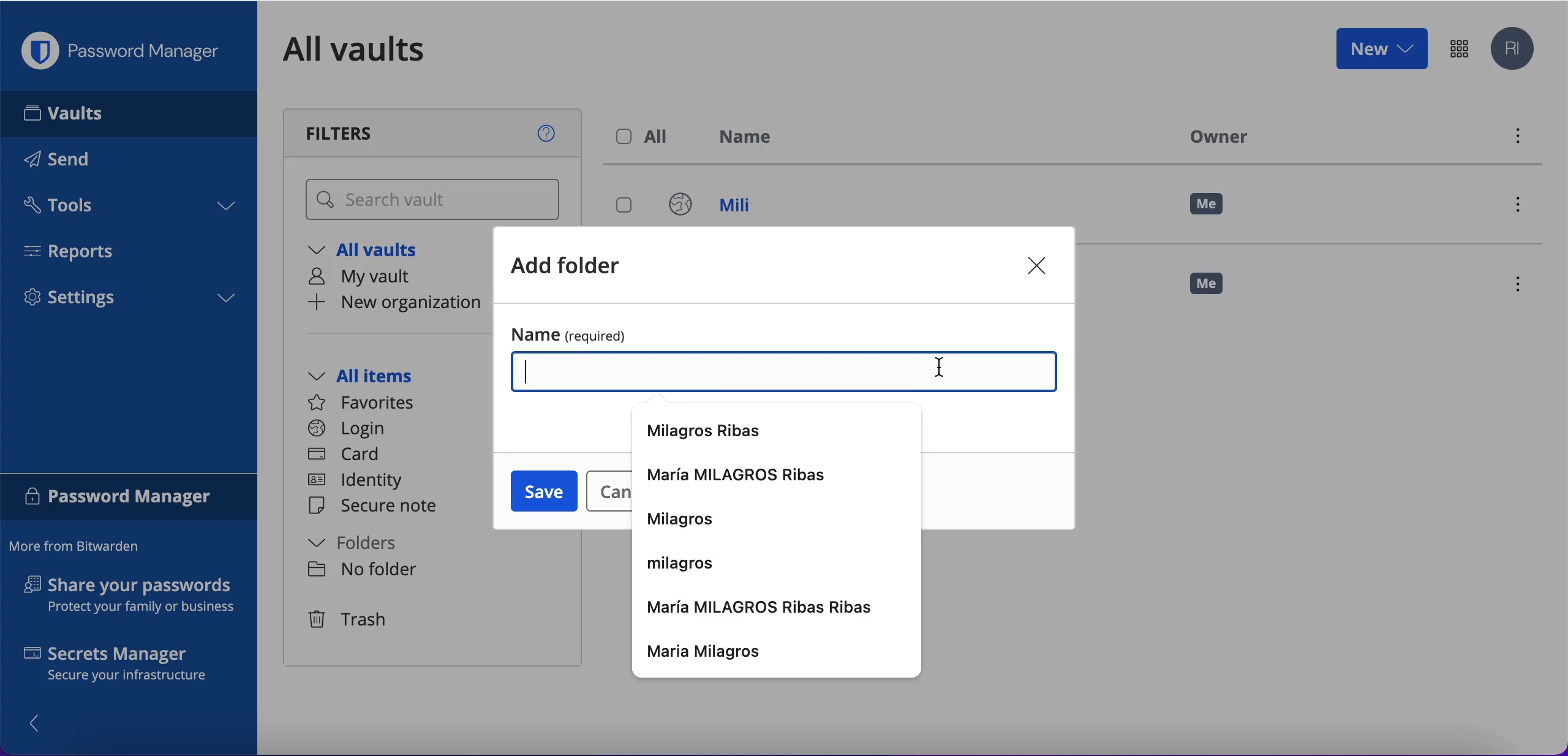 Image resolution: width=1568 pixels, height=756 pixels. I want to click on milagros, so click(684, 521).